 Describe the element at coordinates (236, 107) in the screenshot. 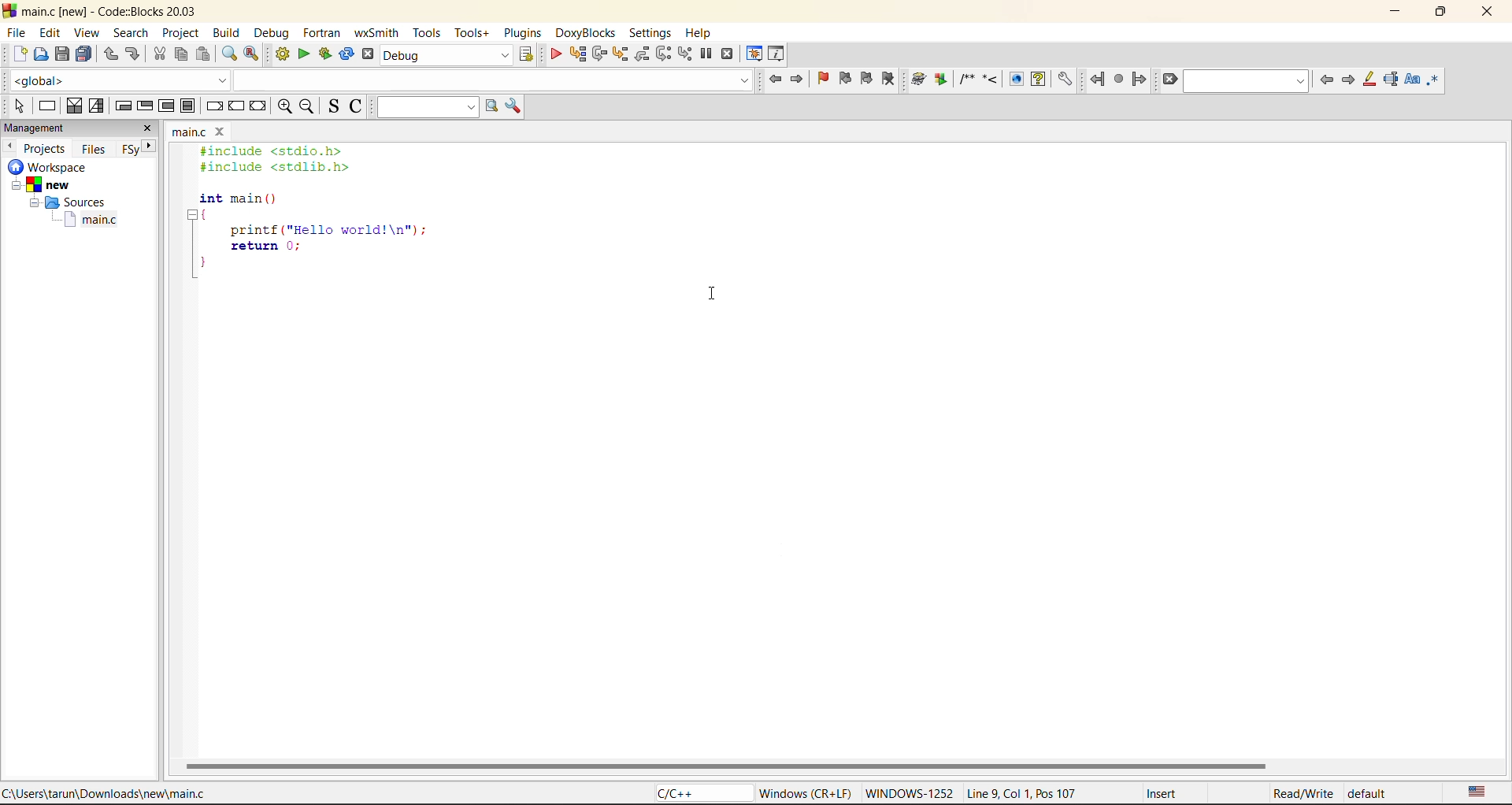

I see `continue instruction ` at that location.